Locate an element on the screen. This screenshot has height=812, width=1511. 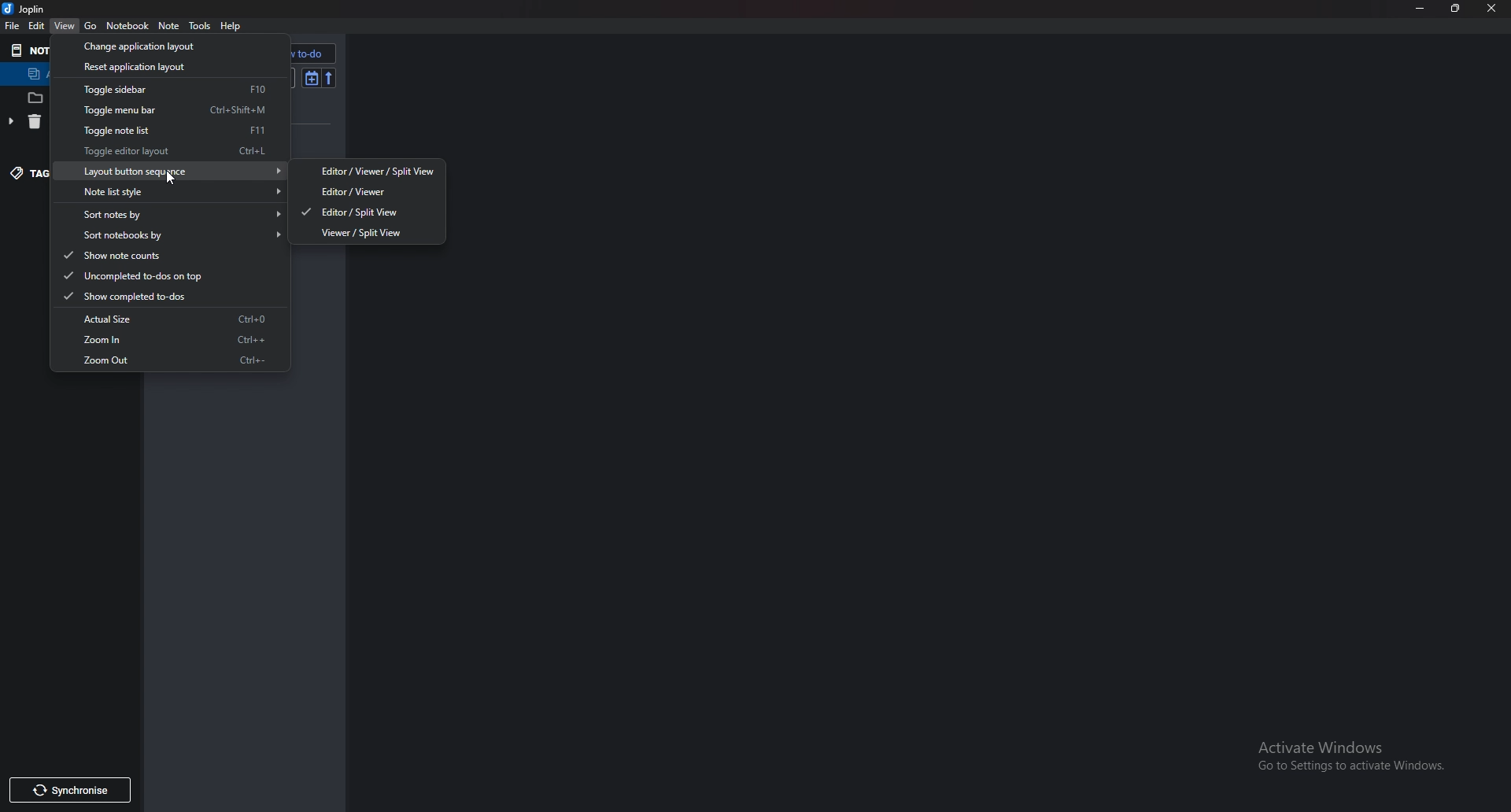
Zoom Out Ctrl+- is located at coordinates (174, 362).